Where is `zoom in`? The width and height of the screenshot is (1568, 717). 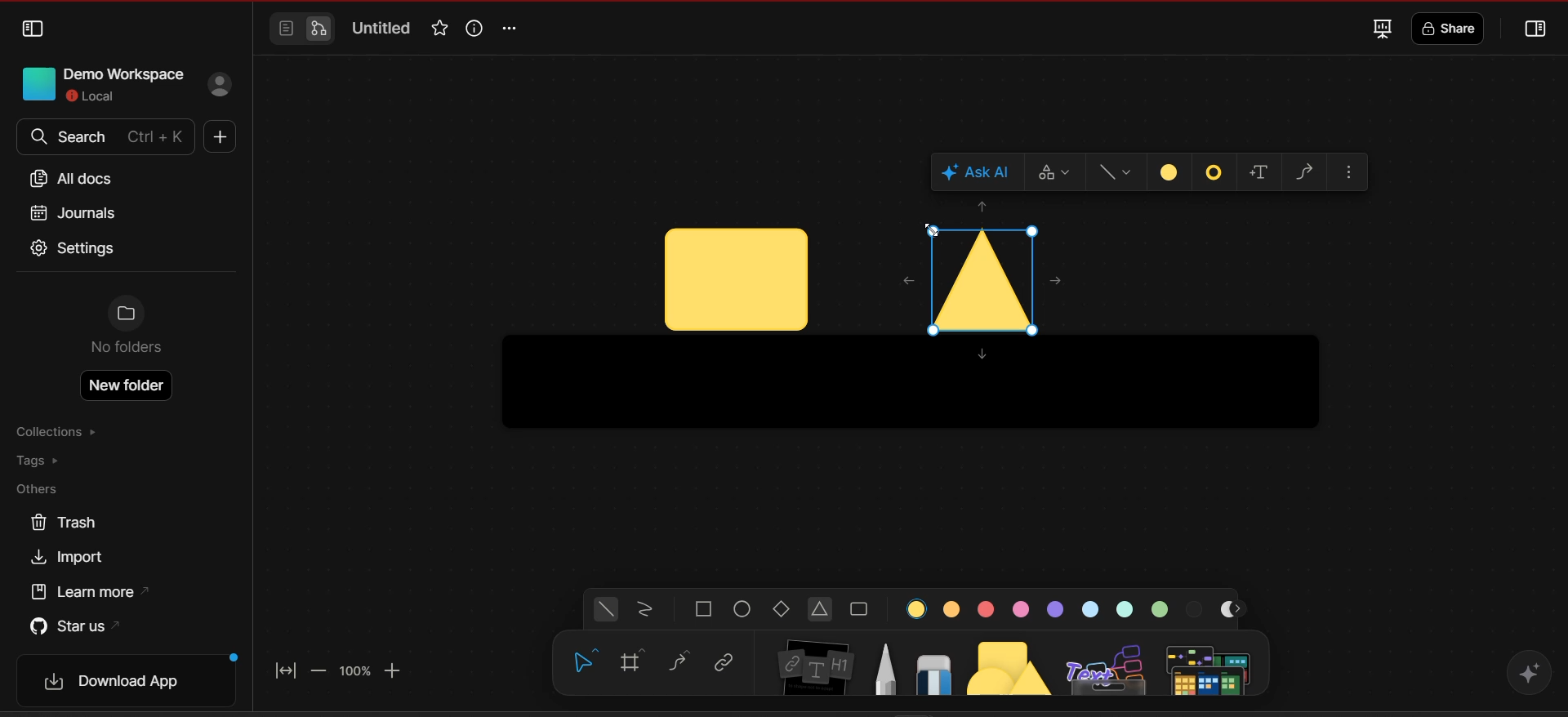
zoom in is located at coordinates (396, 670).